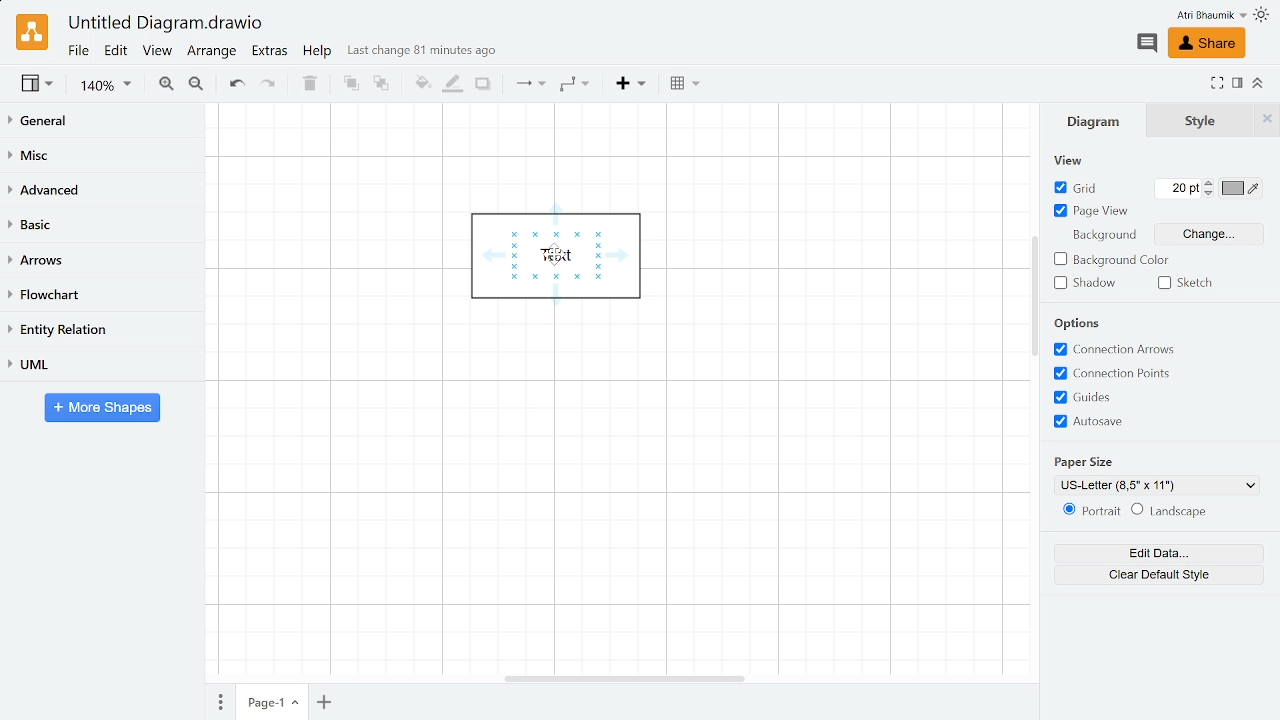 This screenshot has width=1280, height=720. Describe the element at coordinates (626, 677) in the screenshot. I see `Horizontal scrollbar` at that location.